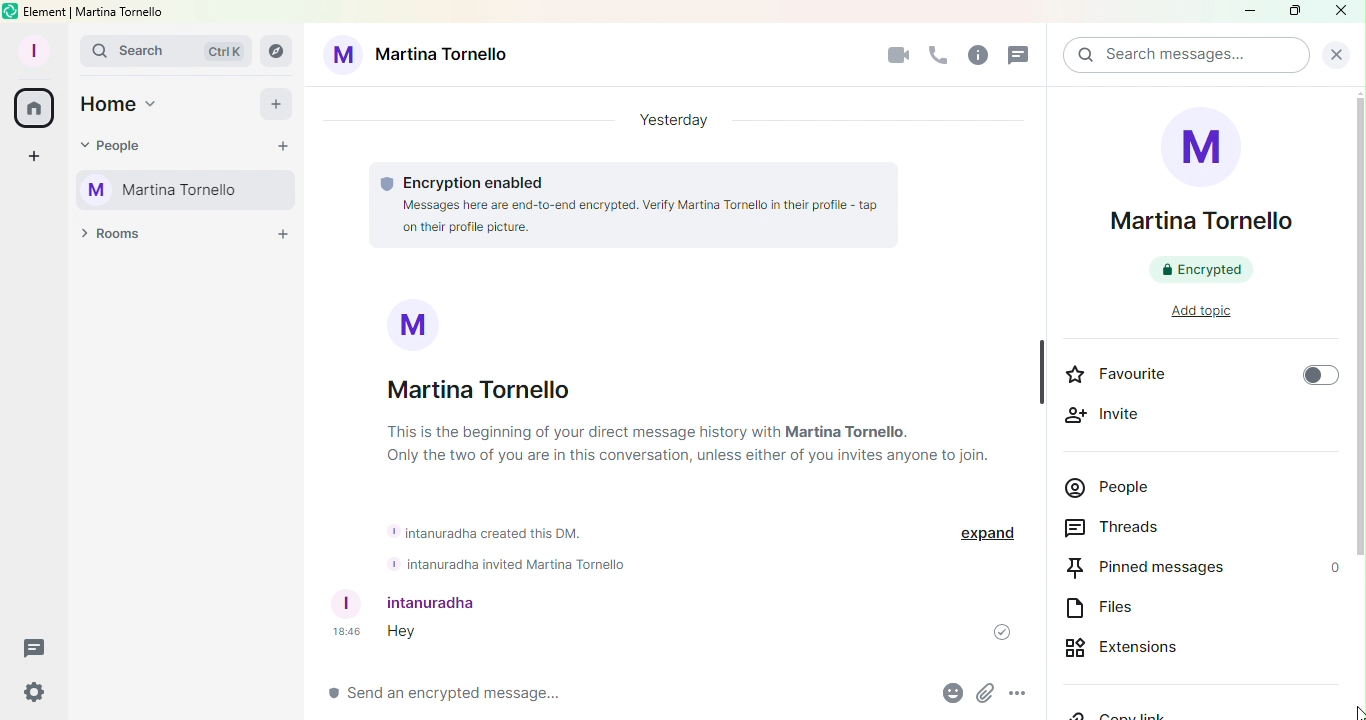 The height and width of the screenshot is (720, 1366). I want to click on Video Call, so click(897, 54).